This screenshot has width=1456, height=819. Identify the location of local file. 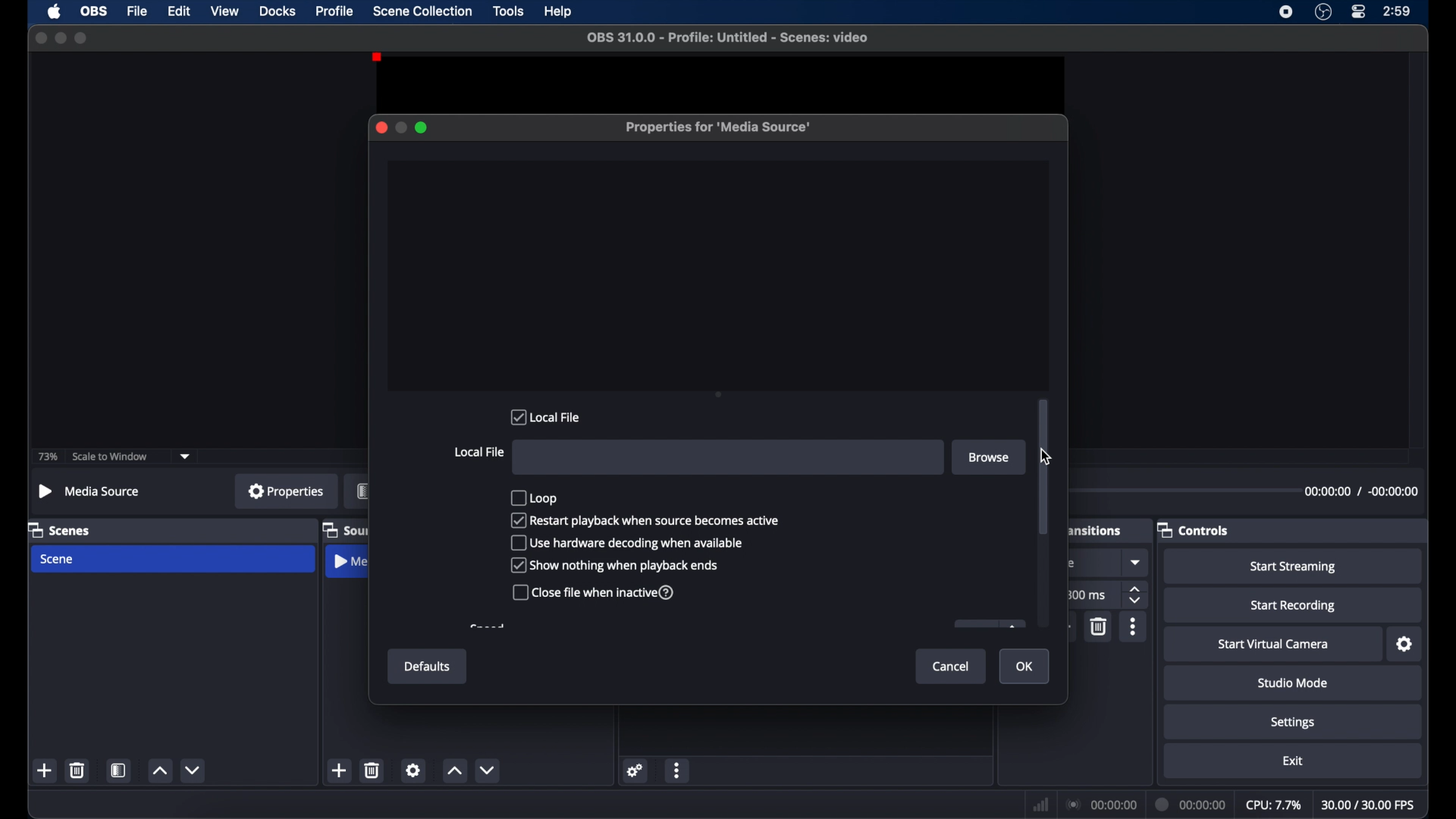
(544, 416).